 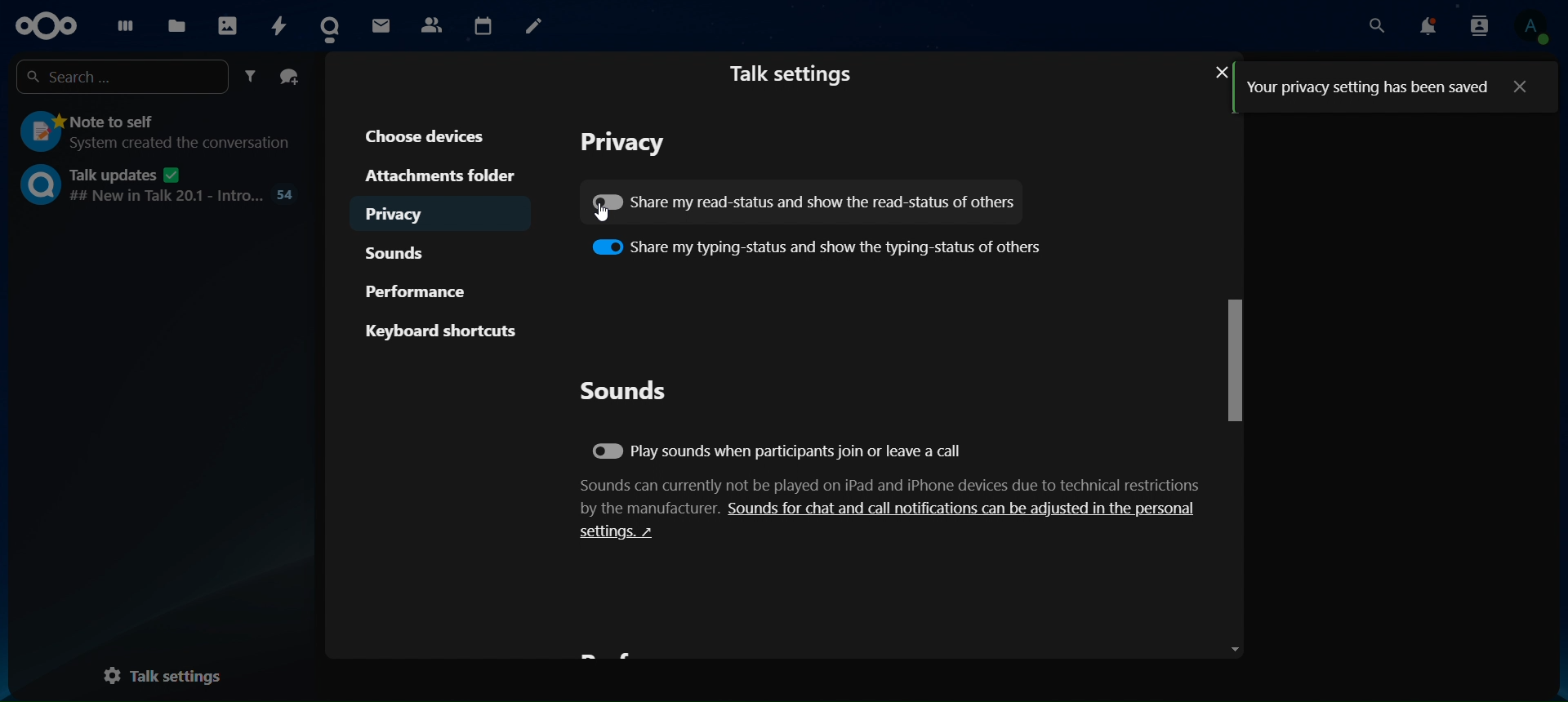 I want to click on text, so click(x=893, y=509).